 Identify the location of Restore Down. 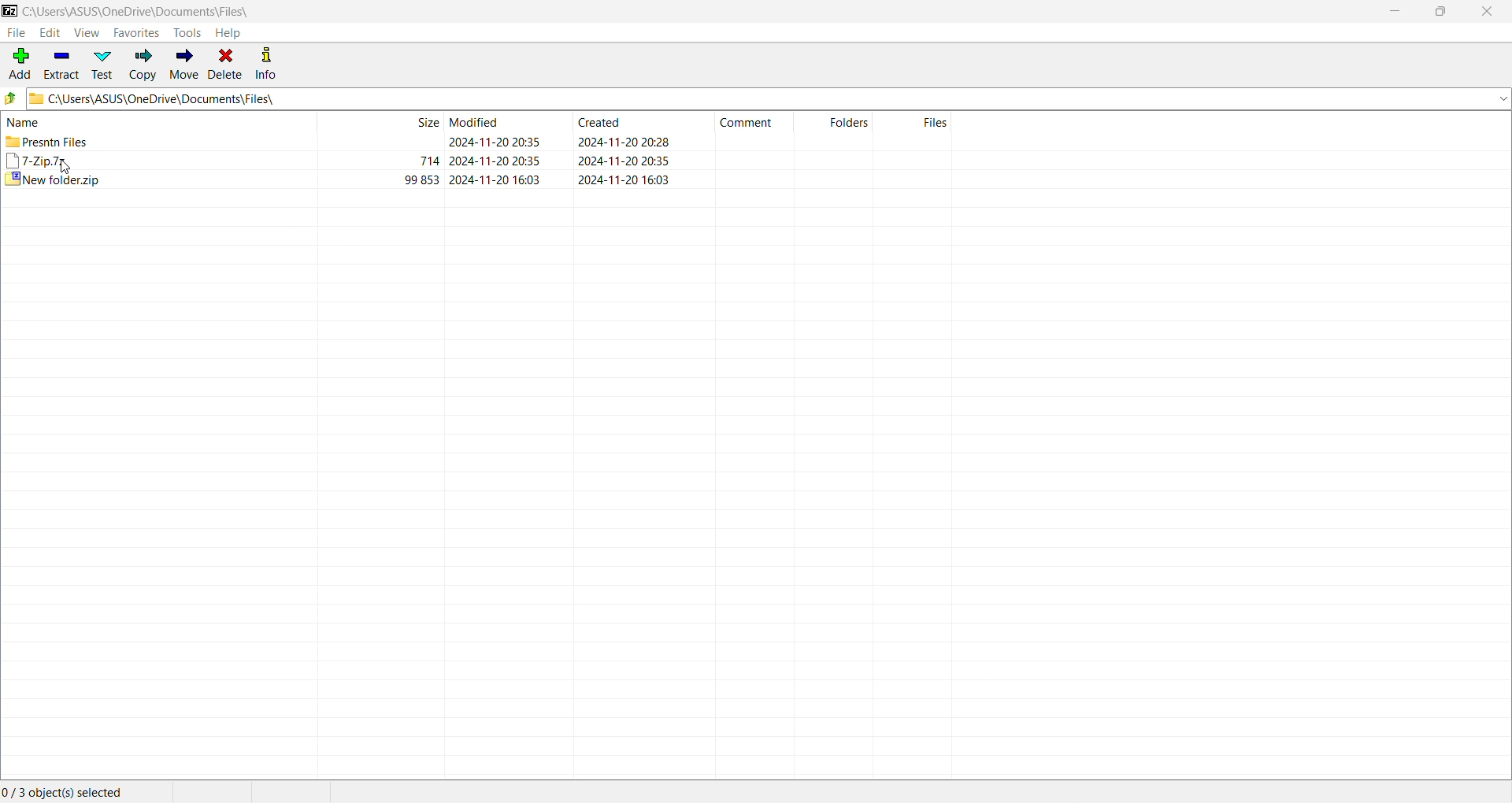
(1446, 11).